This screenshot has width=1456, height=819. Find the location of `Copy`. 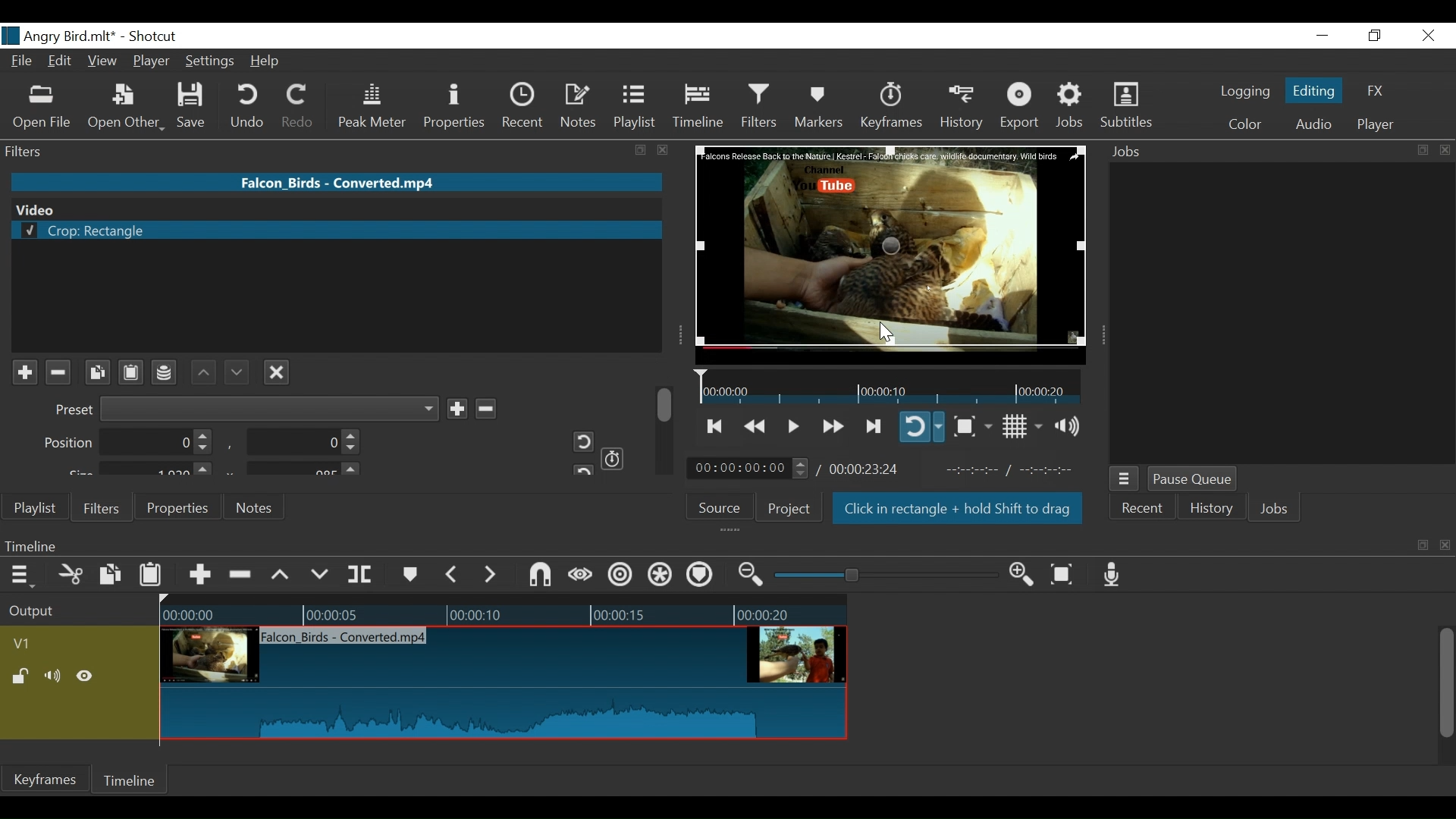

Copy is located at coordinates (97, 372).